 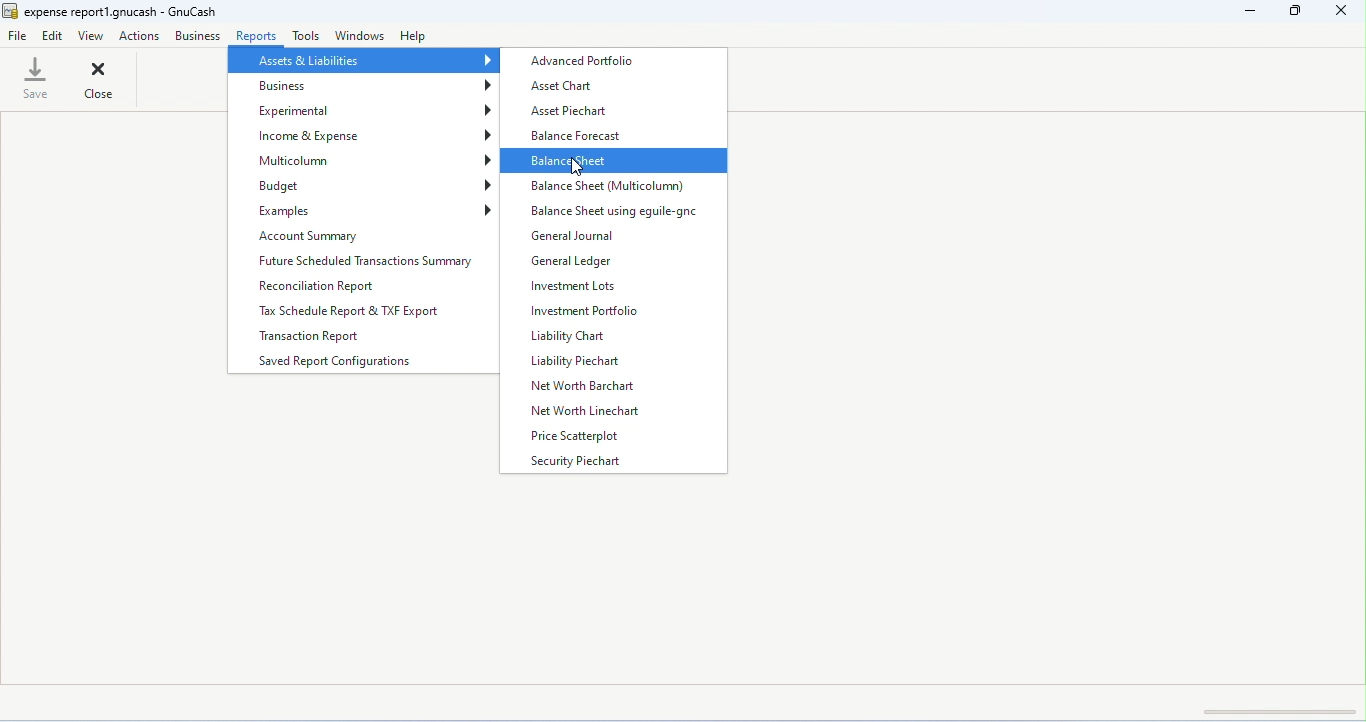 I want to click on file, so click(x=18, y=34).